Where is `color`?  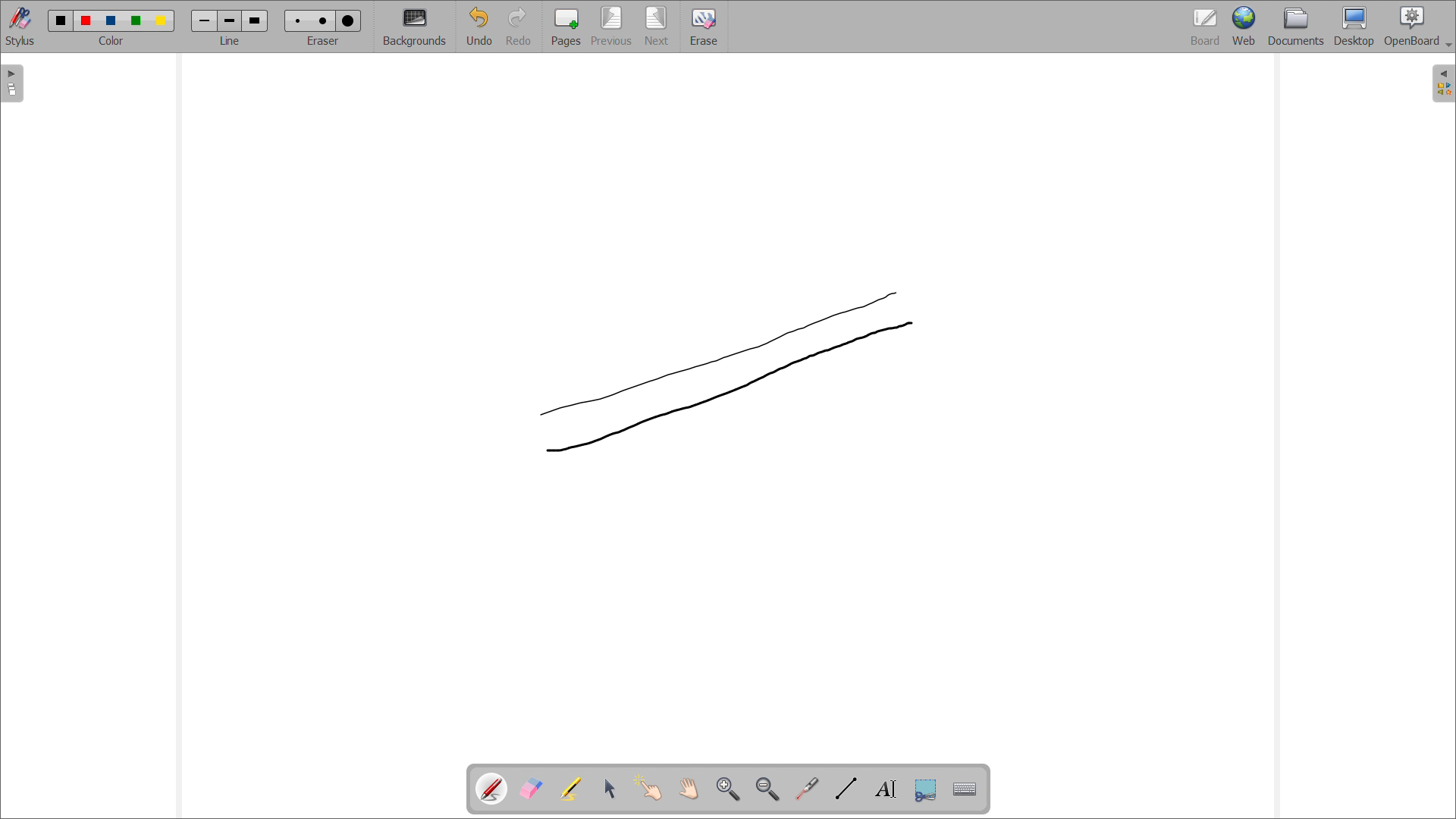 color is located at coordinates (61, 20).